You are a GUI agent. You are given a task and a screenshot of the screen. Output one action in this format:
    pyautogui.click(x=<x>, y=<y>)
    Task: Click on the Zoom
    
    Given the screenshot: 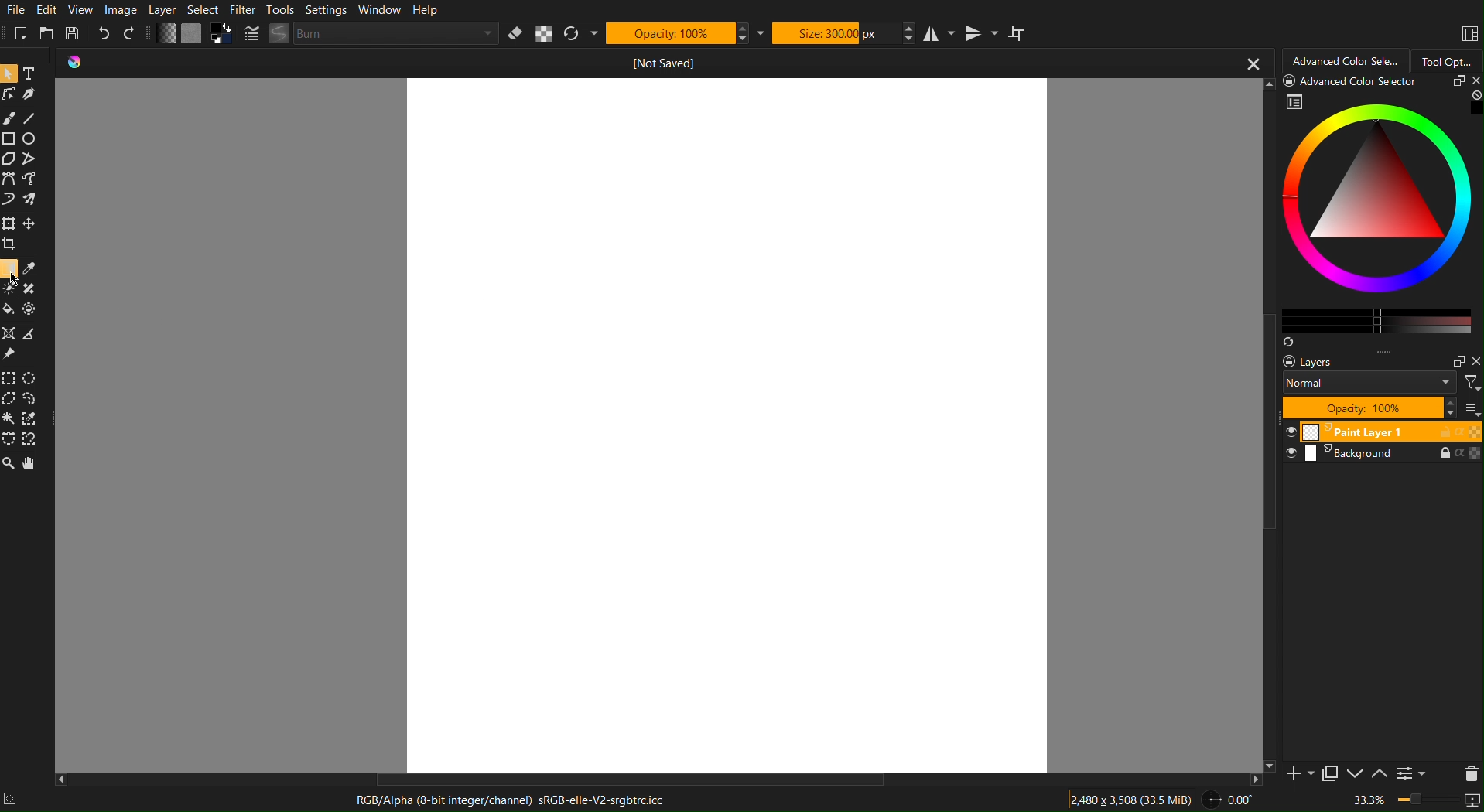 What is the action you would take?
    pyautogui.click(x=9, y=464)
    